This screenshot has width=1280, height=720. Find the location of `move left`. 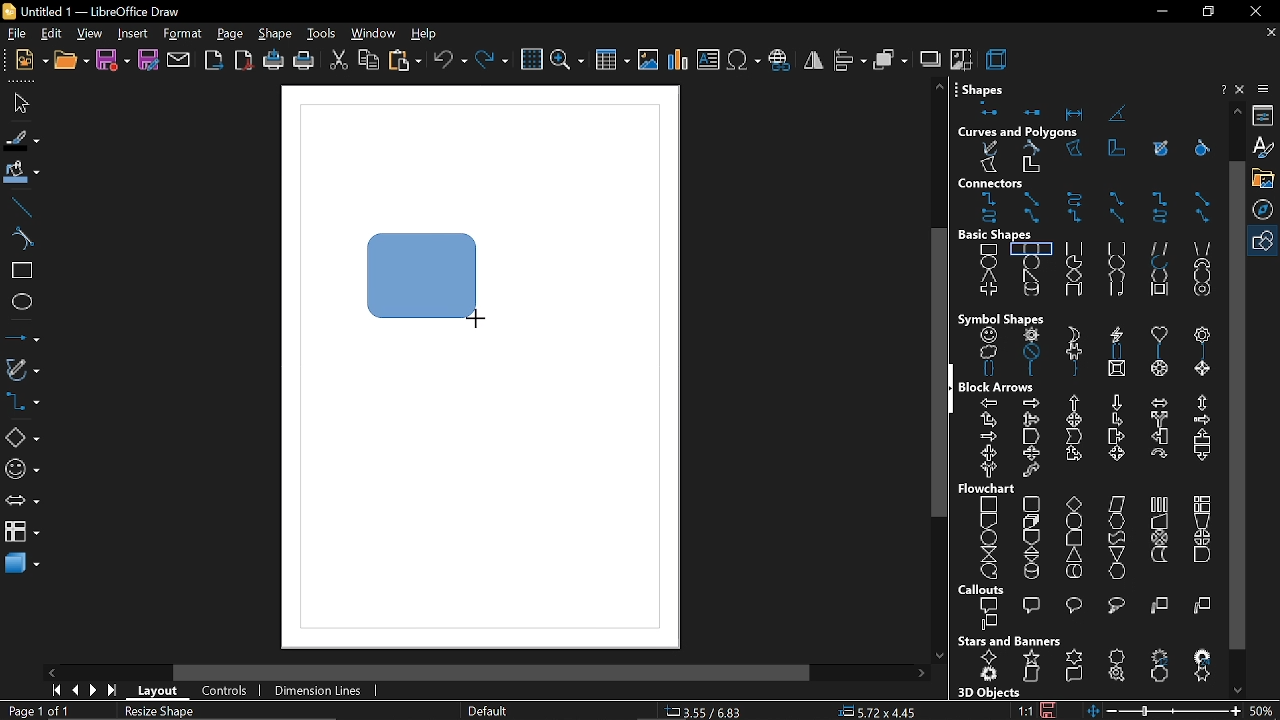

move left is located at coordinates (54, 672).